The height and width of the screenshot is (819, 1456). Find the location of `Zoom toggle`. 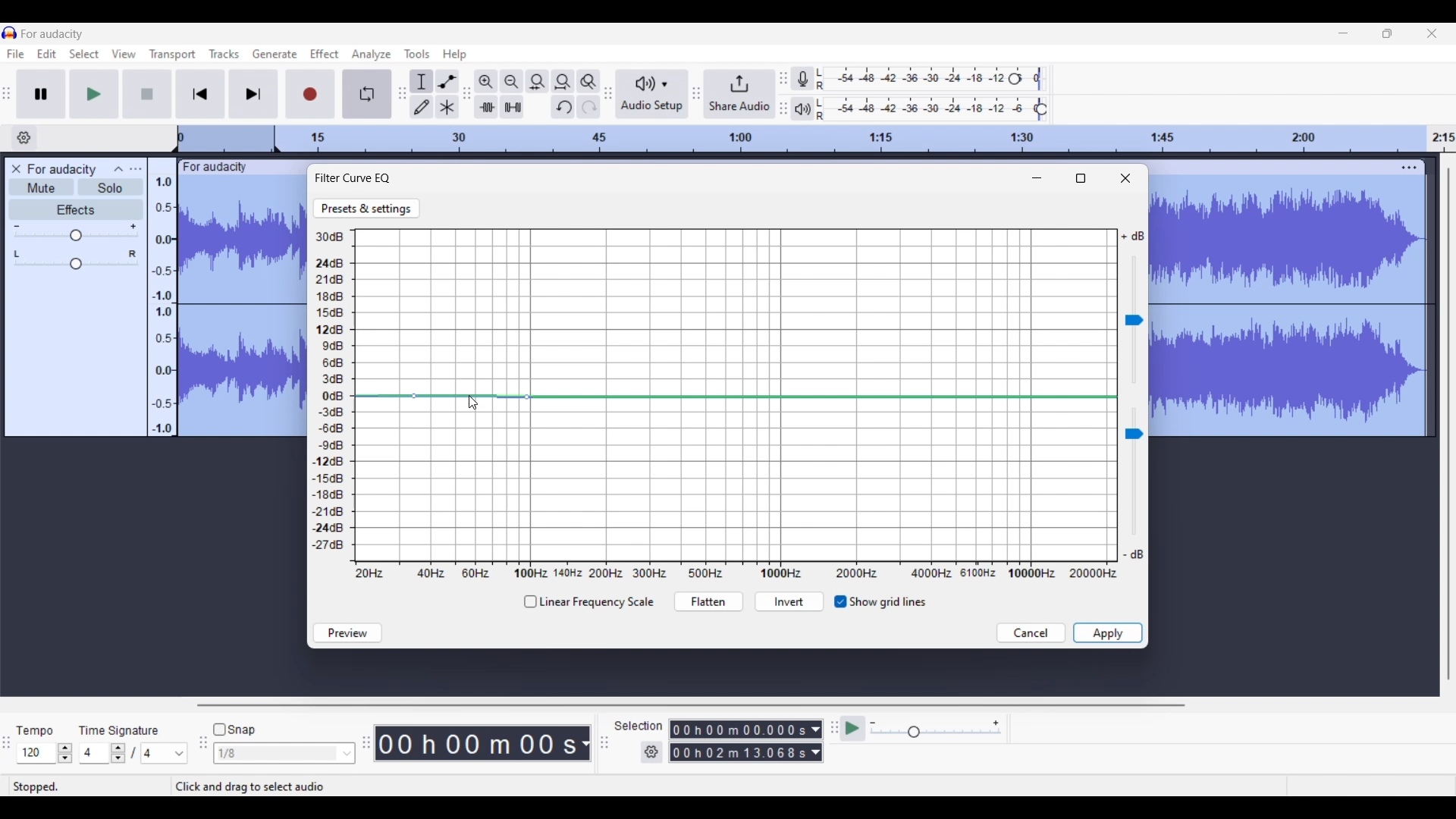

Zoom toggle is located at coordinates (589, 81).